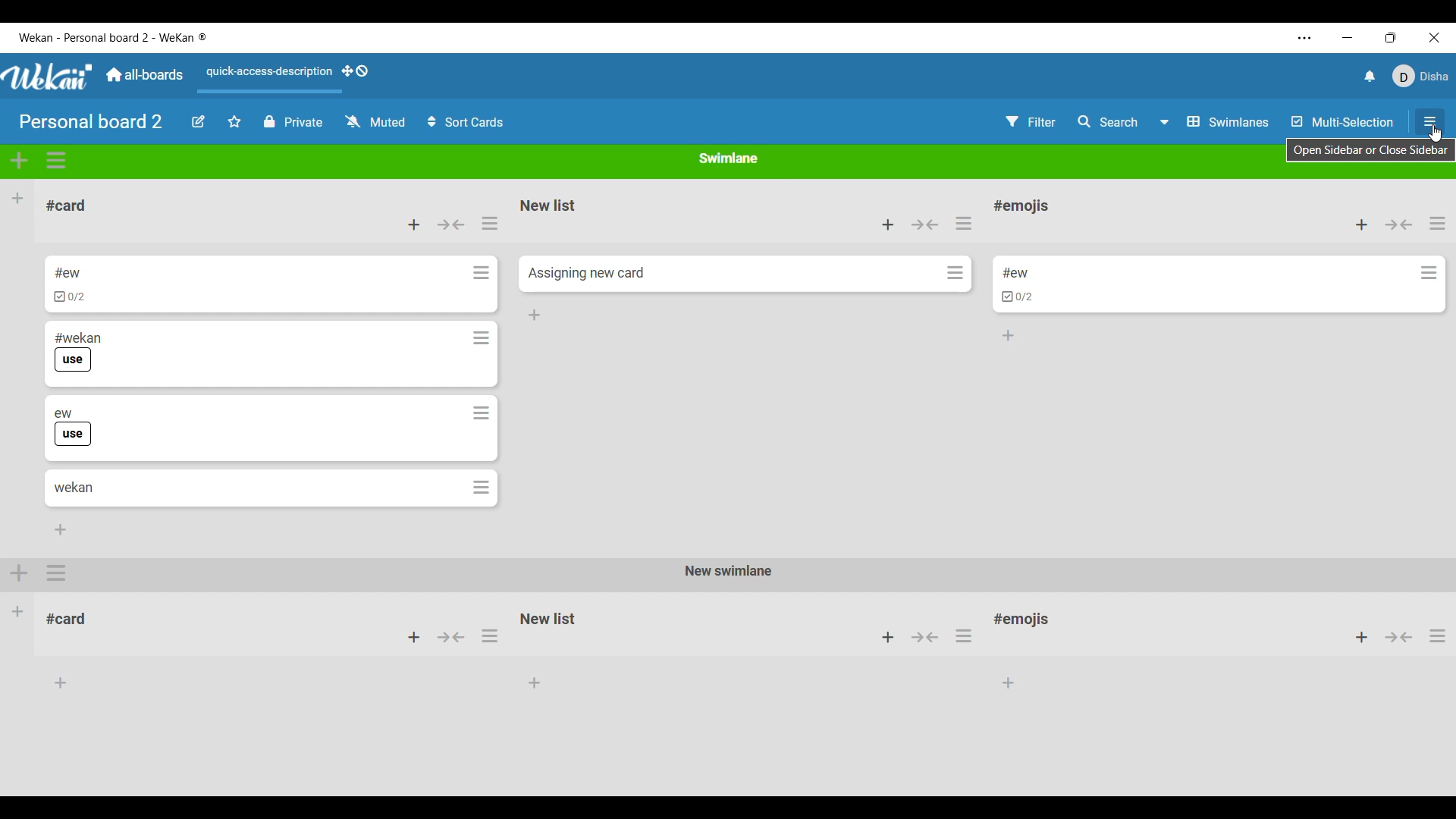 Image resolution: width=1456 pixels, height=819 pixels. What do you see at coordinates (198, 121) in the screenshot?
I see `Edit board` at bounding box center [198, 121].